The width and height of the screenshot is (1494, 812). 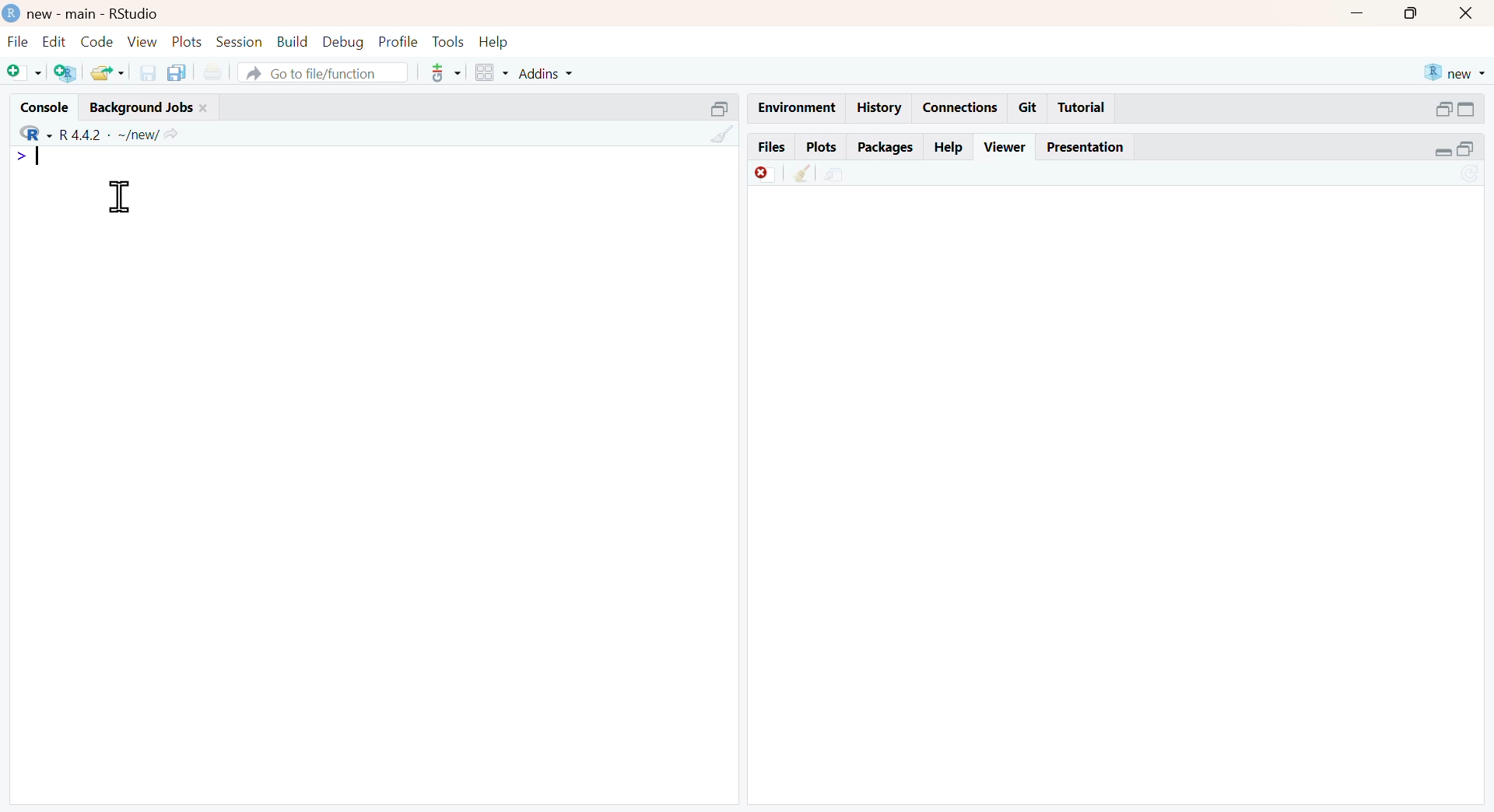 What do you see at coordinates (238, 42) in the screenshot?
I see `session` at bounding box center [238, 42].